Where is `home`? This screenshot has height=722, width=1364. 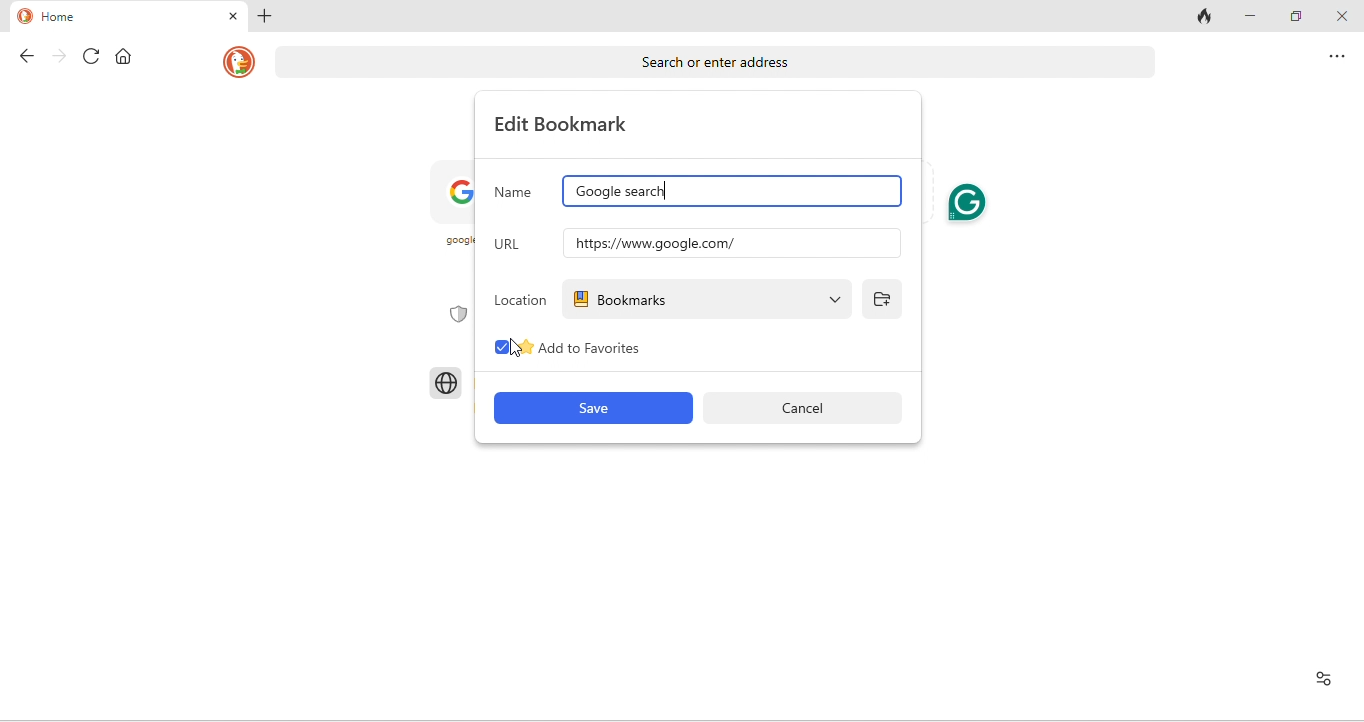
home is located at coordinates (122, 56).